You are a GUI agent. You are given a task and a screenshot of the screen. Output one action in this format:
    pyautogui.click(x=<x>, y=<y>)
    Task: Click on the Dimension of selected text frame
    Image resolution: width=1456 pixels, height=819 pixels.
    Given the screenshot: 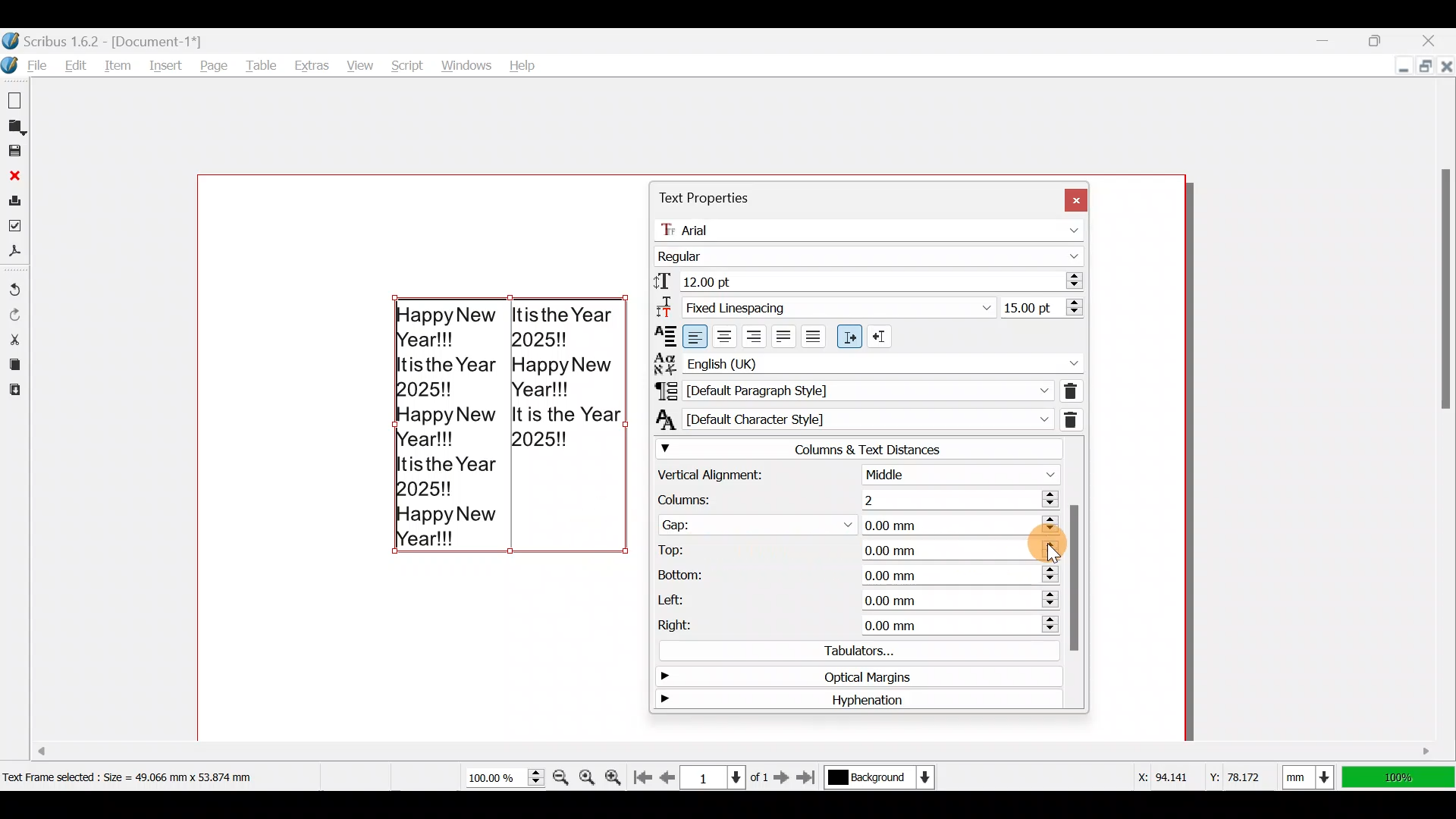 What is the action you would take?
    pyautogui.click(x=149, y=777)
    